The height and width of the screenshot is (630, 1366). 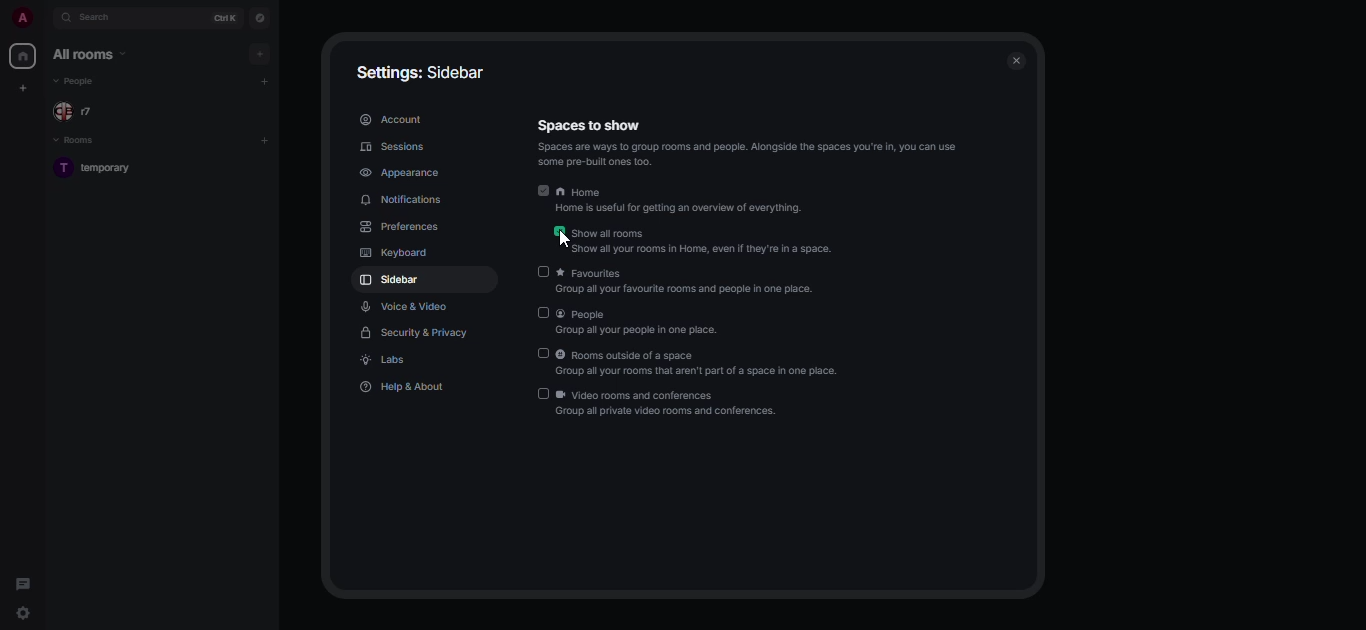 I want to click on voice & video, so click(x=402, y=306).